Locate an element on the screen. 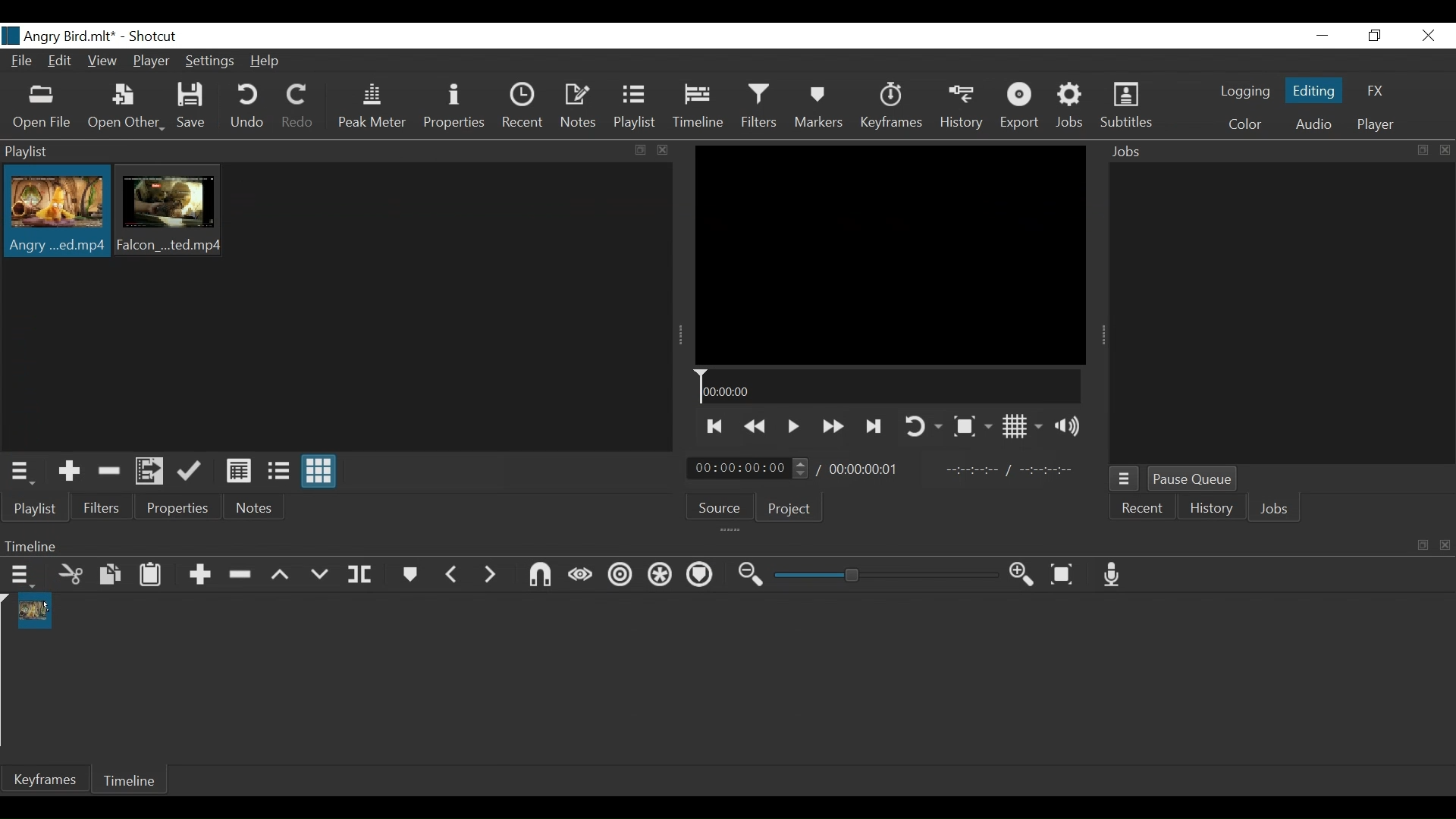 This screenshot has width=1456, height=819. Ripple Delete is located at coordinates (243, 576).